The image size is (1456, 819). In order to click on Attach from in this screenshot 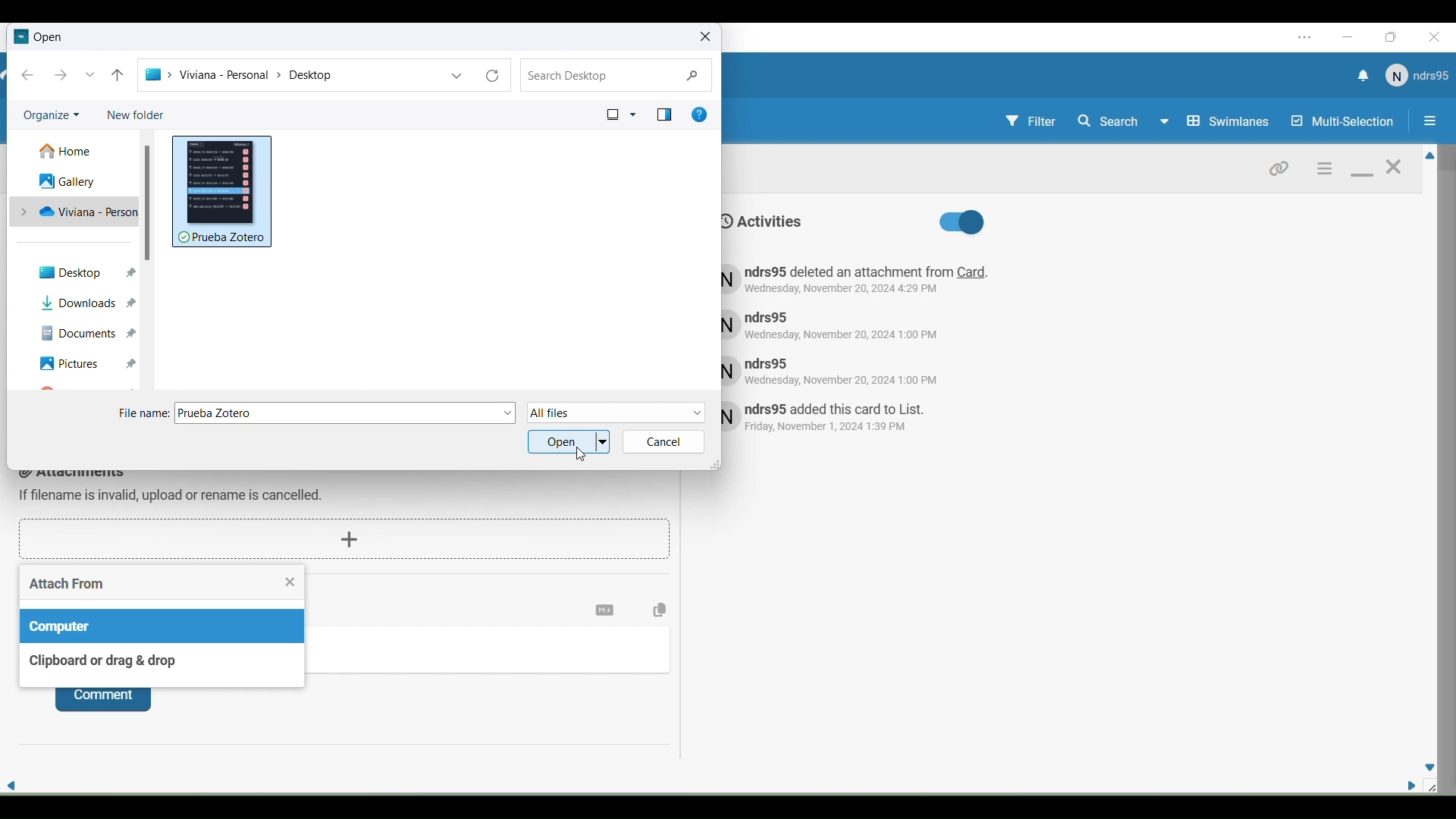, I will do `click(152, 582)`.